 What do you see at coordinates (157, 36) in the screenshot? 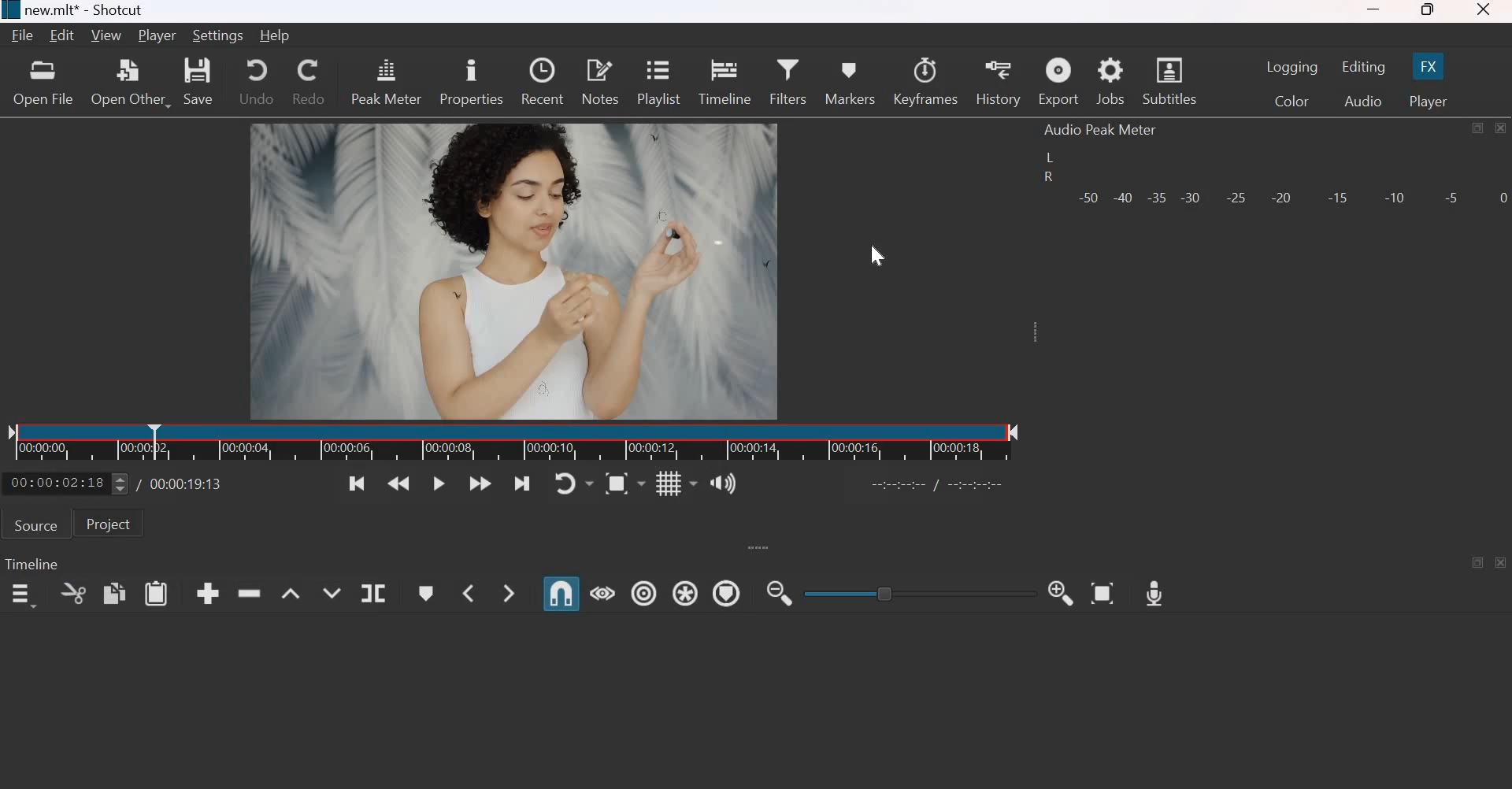
I see `Player` at bounding box center [157, 36].